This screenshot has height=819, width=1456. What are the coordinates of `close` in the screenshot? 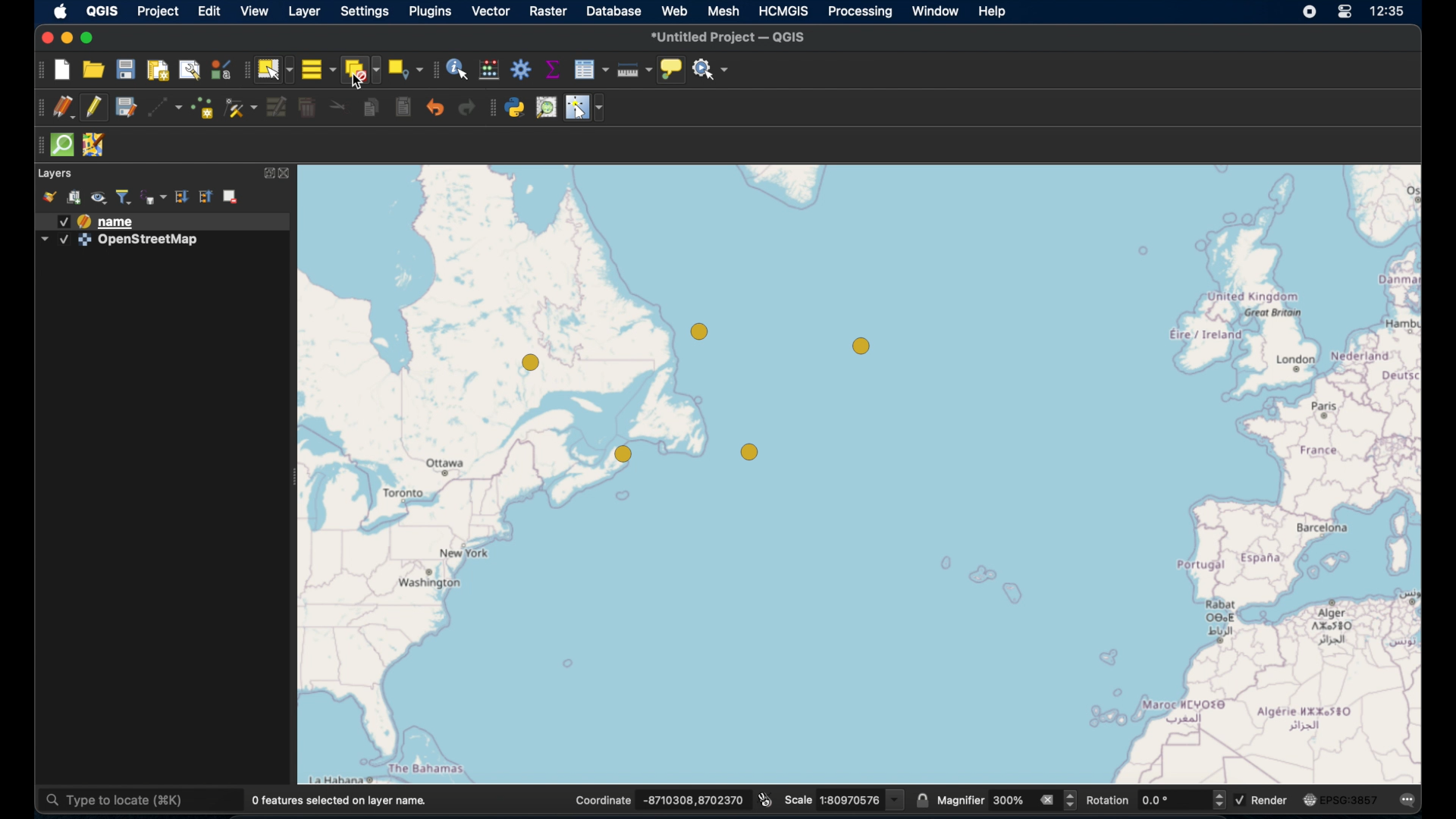 It's located at (288, 173).